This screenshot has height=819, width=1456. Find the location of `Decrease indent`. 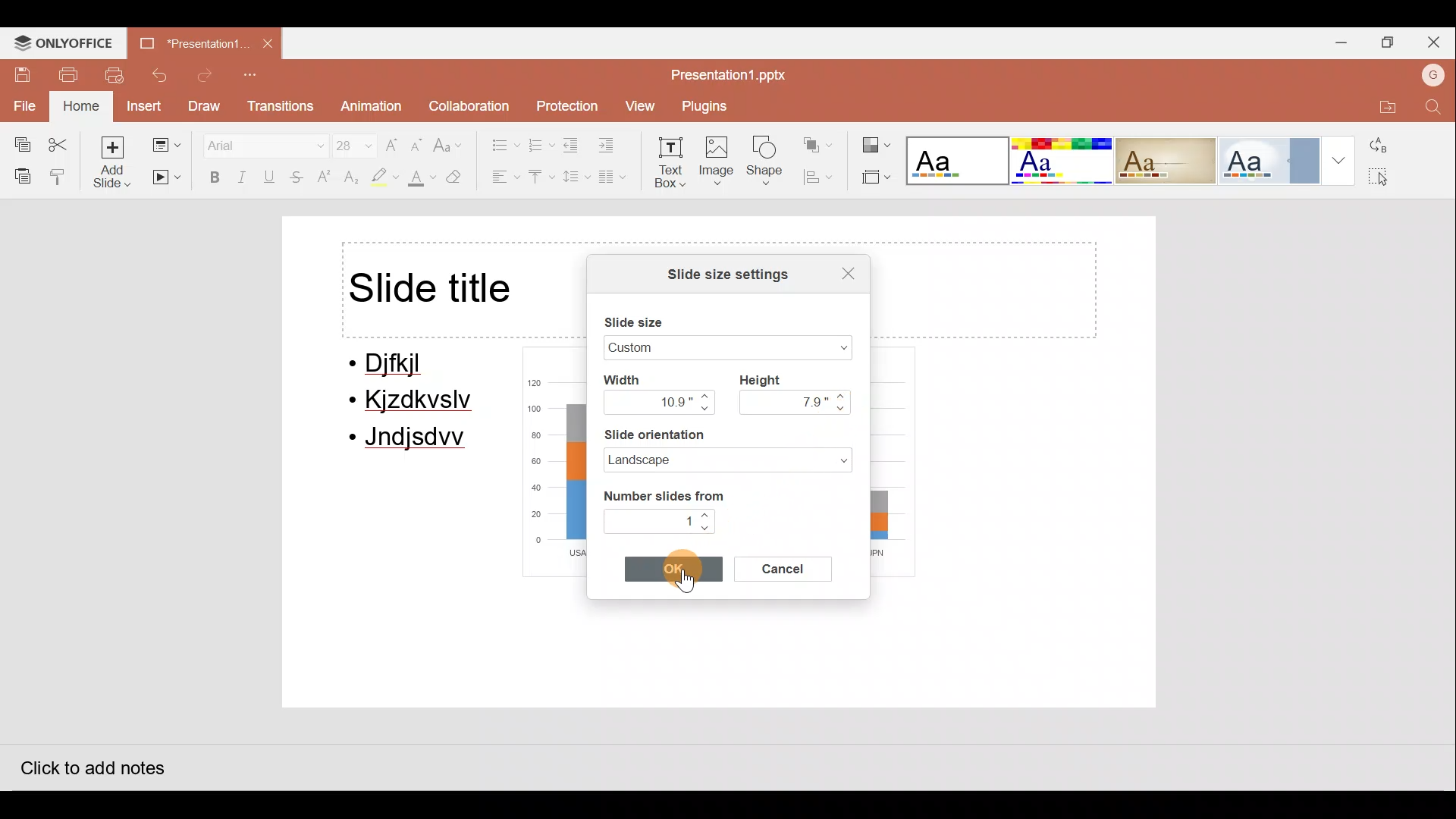

Decrease indent is located at coordinates (573, 145).